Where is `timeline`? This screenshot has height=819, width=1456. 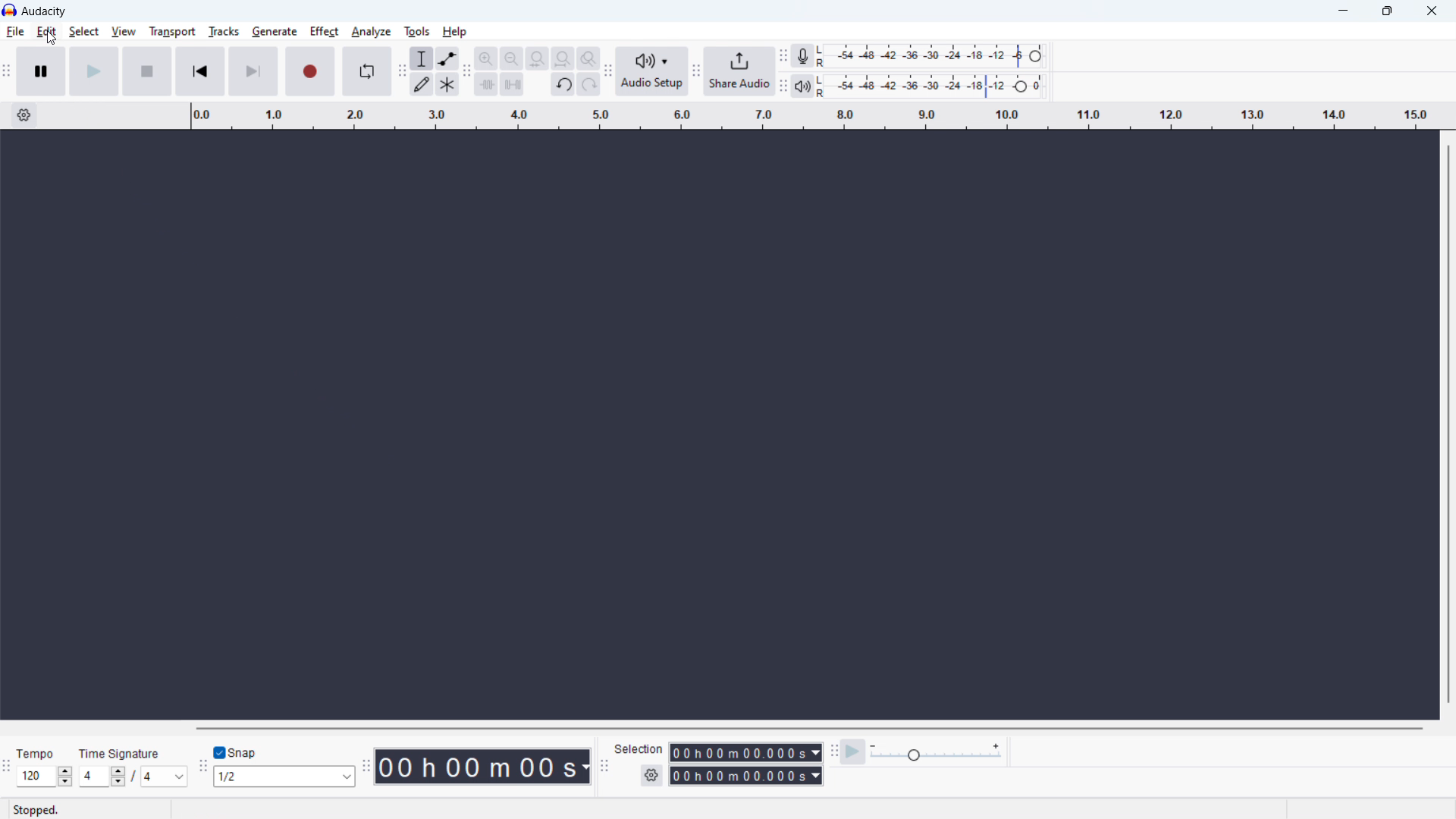
timeline is located at coordinates (813, 115).